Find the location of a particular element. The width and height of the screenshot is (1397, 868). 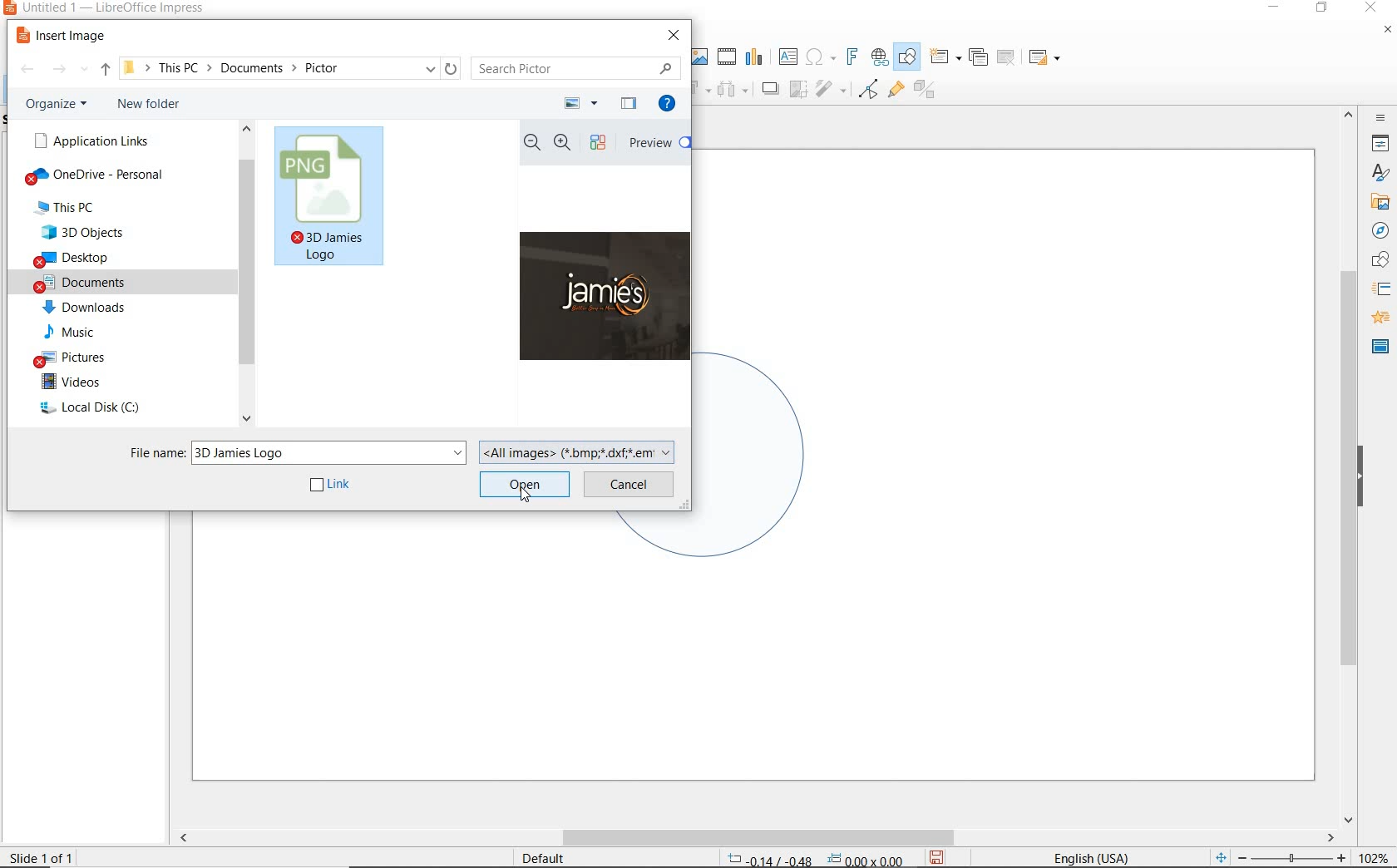

3d objects is located at coordinates (96, 232).